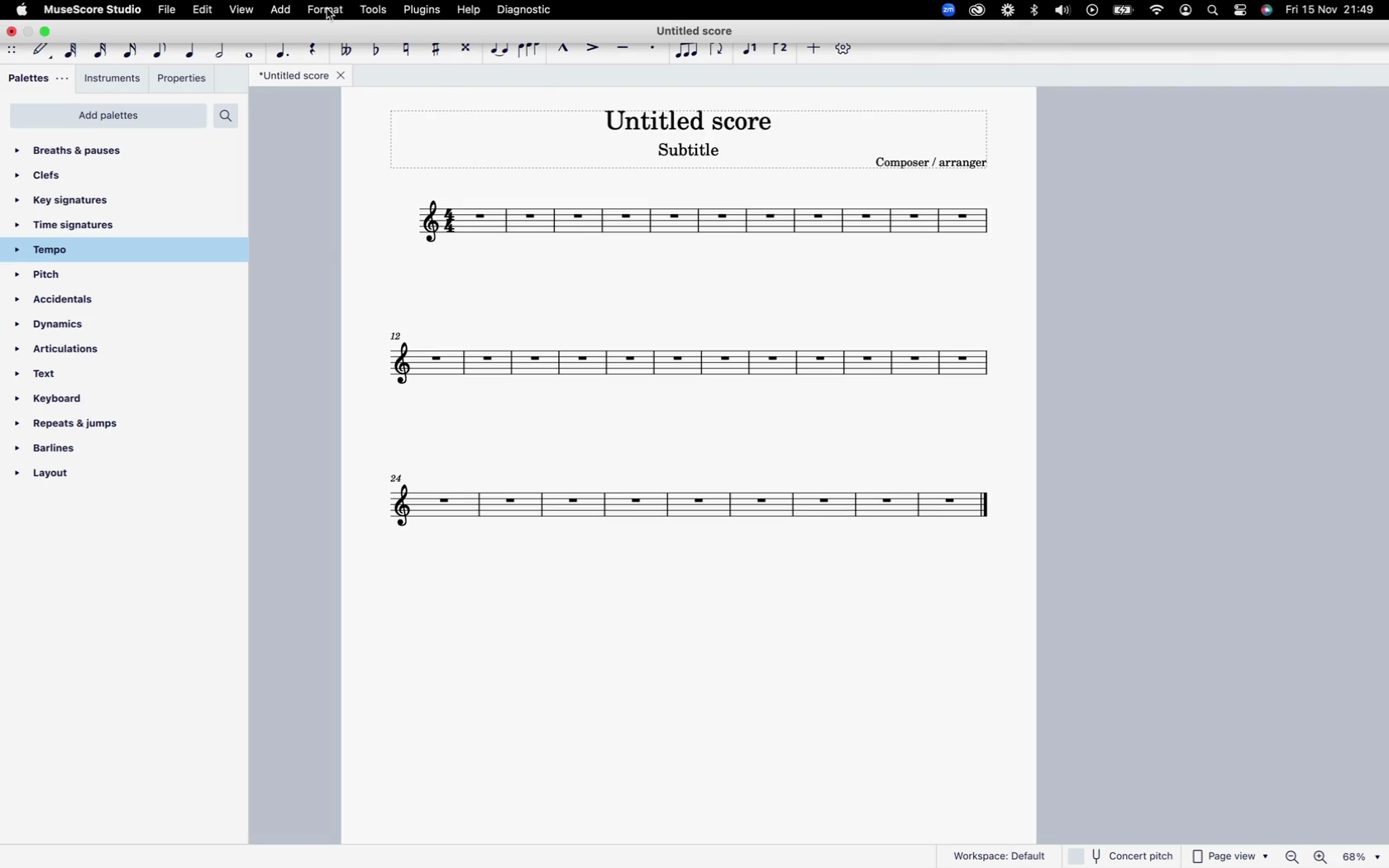 This screenshot has width=1389, height=868. Describe the element at coordinates (13, 50) in the screenshot. I see `move` at that location.